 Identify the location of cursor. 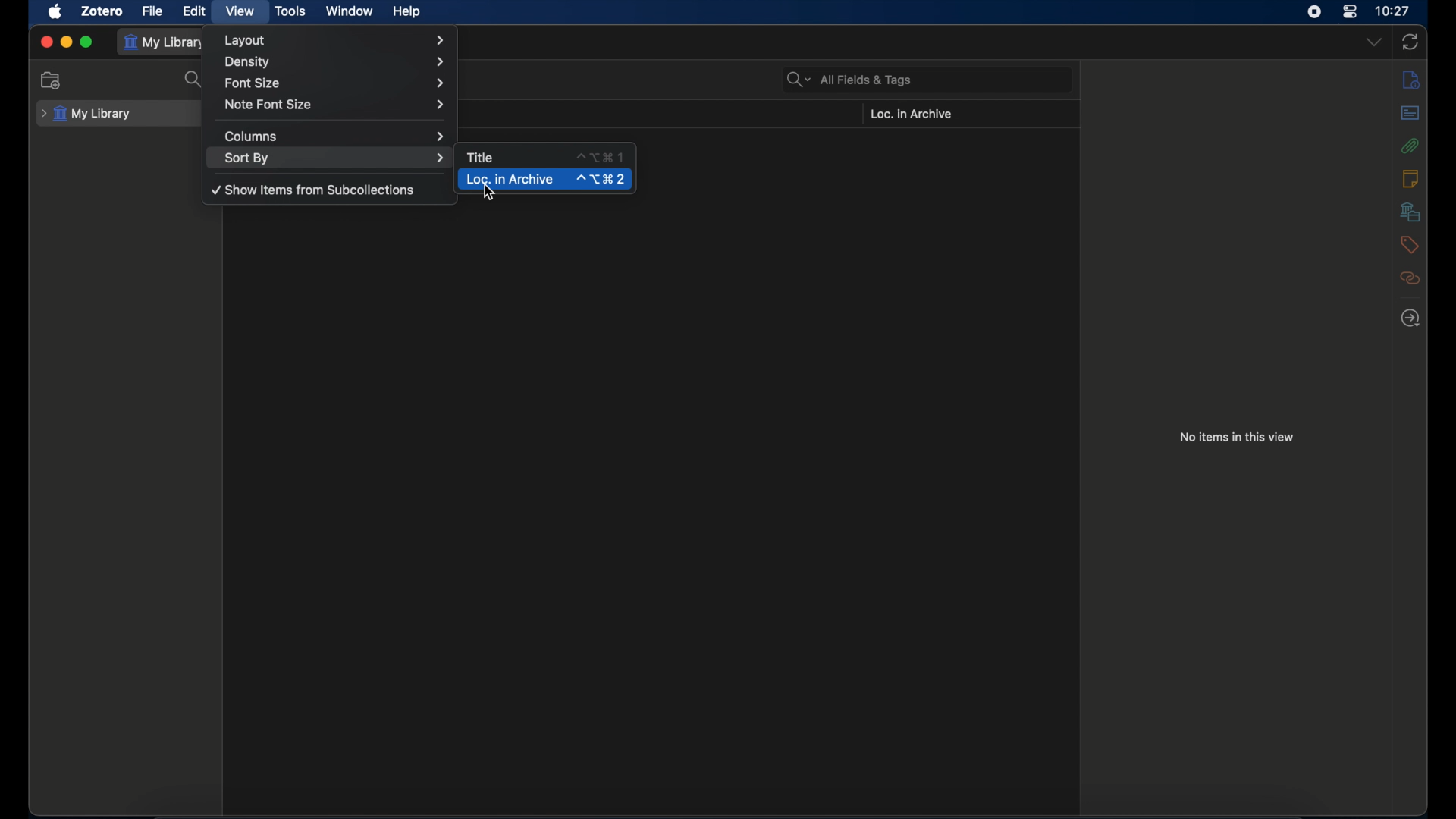
(491, 193).